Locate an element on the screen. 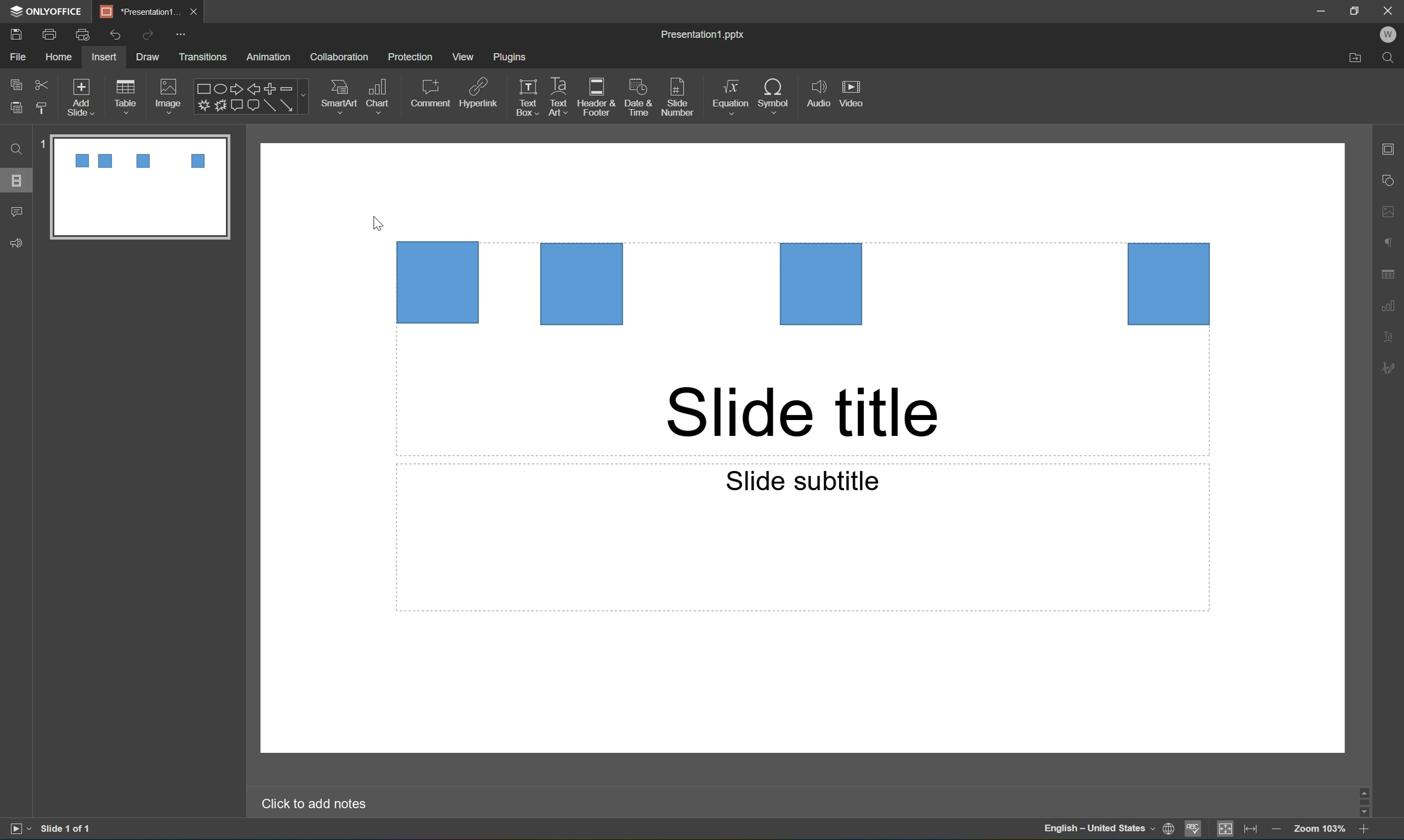 The height and width of the screenshot is (840, 1404). Click to add notes is located at coordinates (318, 804).